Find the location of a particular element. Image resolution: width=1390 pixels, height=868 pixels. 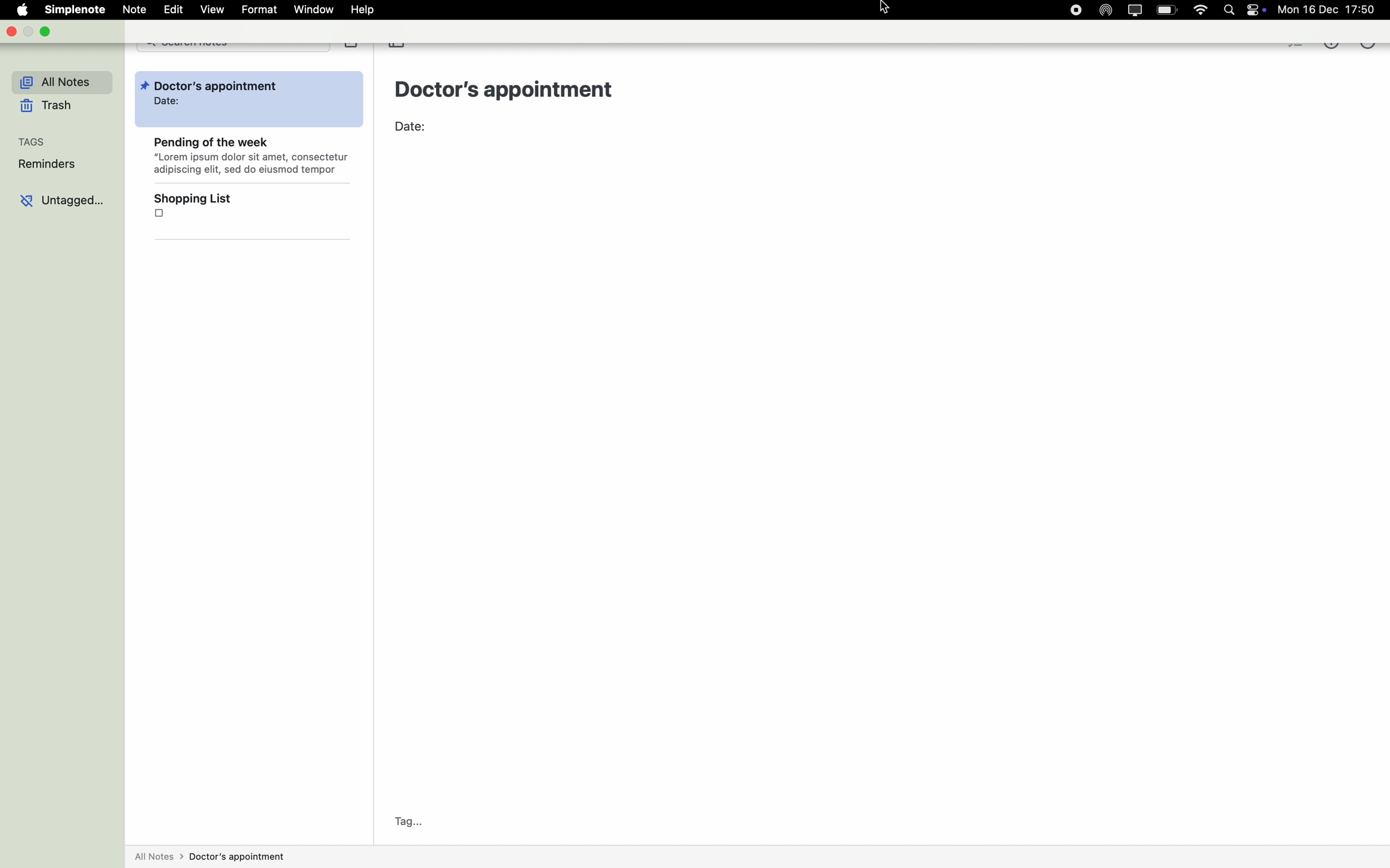

spotlight search is located at coordinates (1229, 10).